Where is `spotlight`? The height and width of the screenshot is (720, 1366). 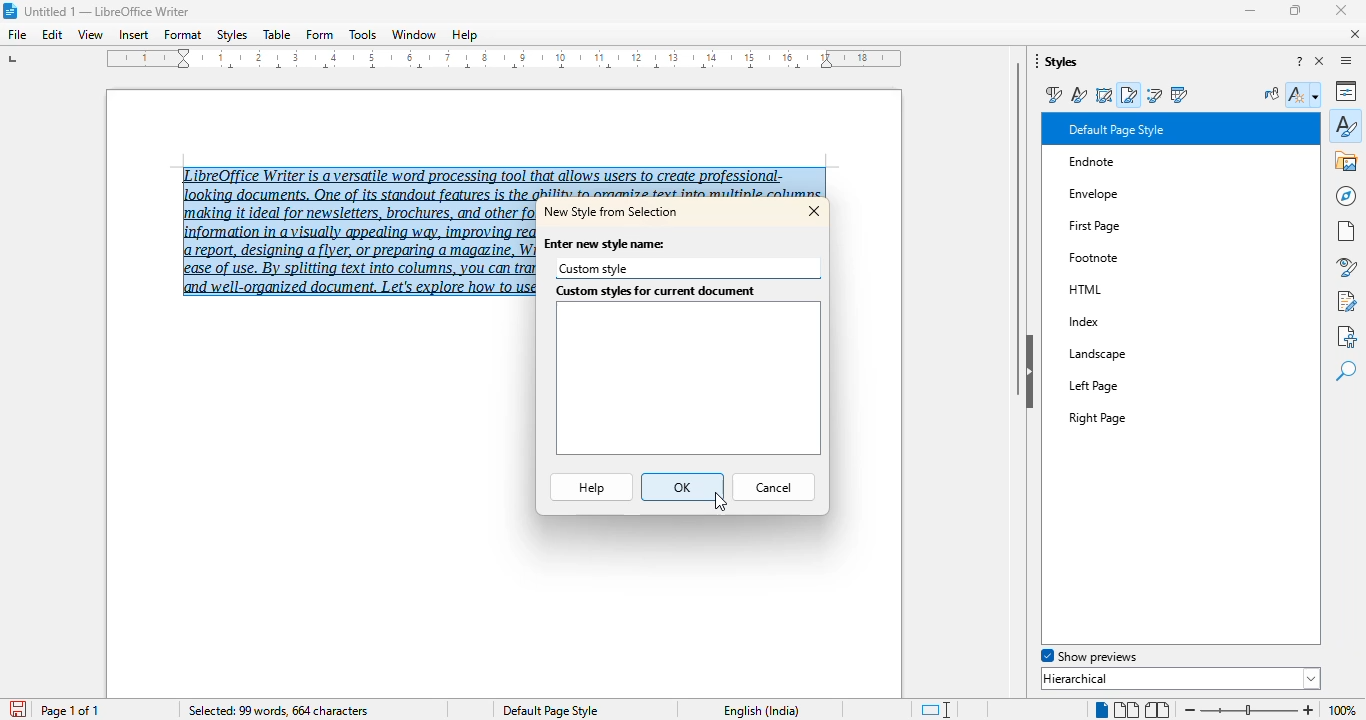
spotlight is located at coordinates (1174, 656).